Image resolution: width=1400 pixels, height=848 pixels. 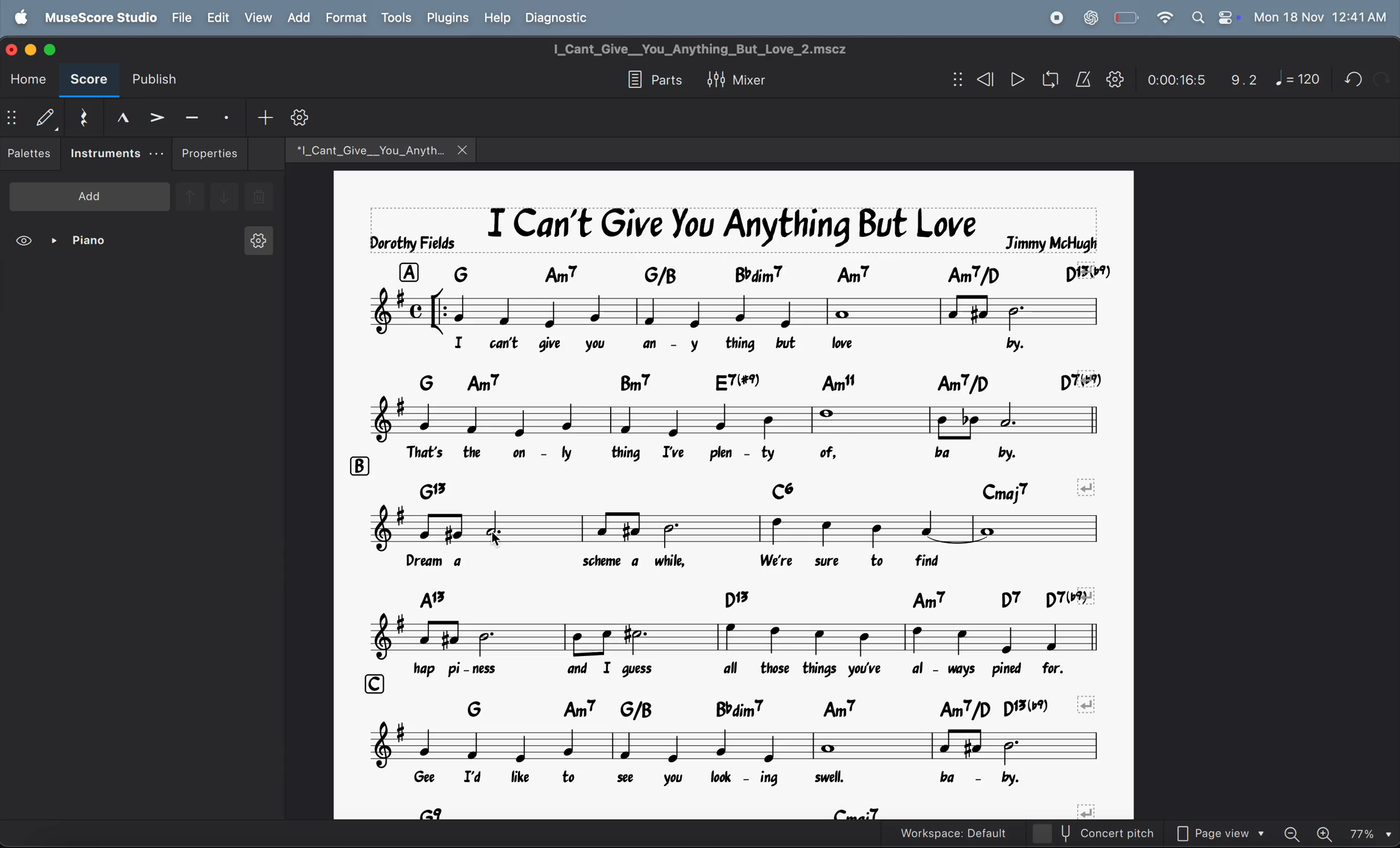 I want to click on default, so click(x=48, y=117).